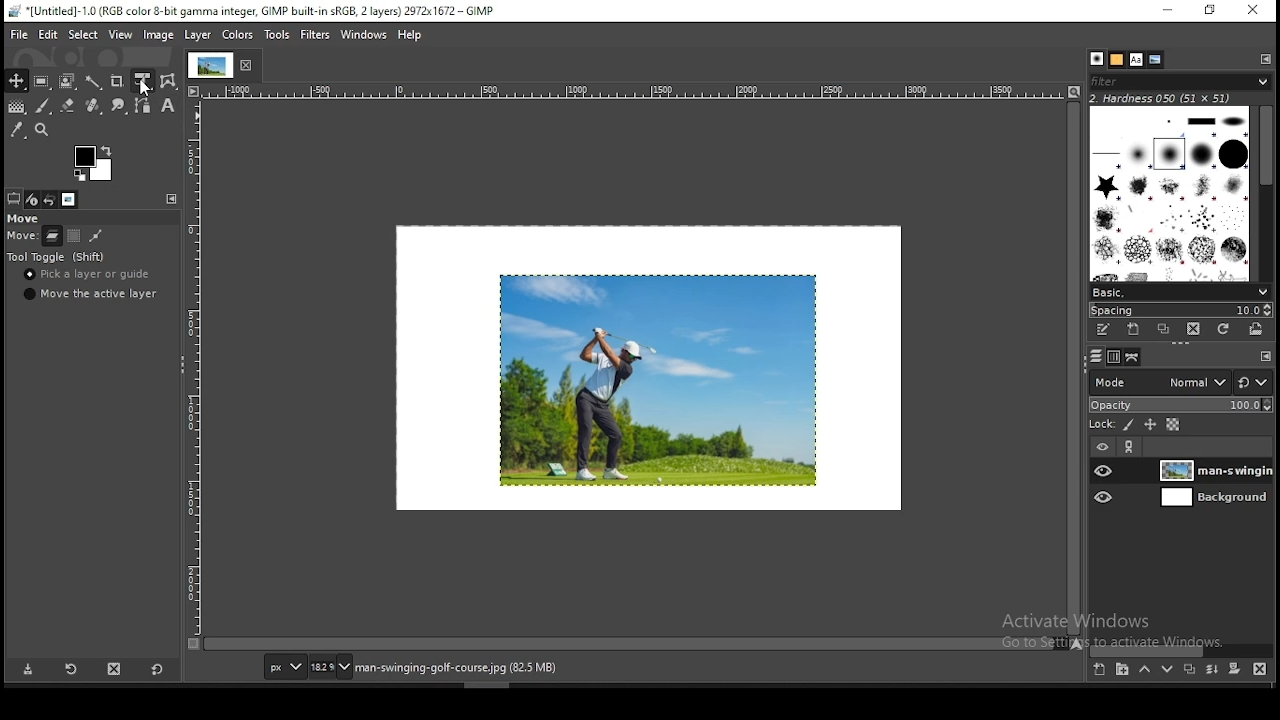  Describe the element at coordinates (277, 32) in the screenshot. I see `tools` at that location.